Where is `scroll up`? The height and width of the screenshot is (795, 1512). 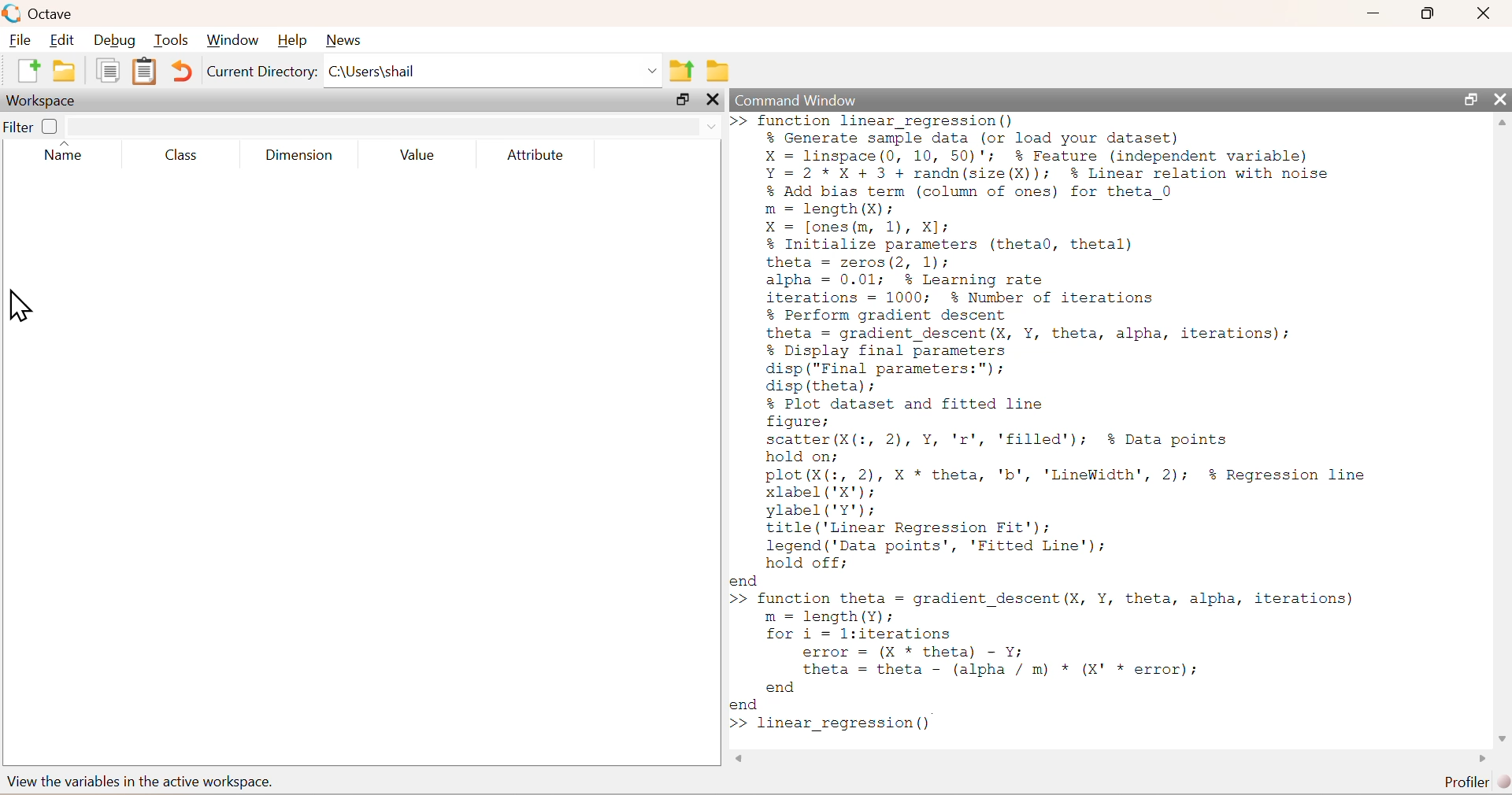 scroll up is located at coordinates (1502, 121).